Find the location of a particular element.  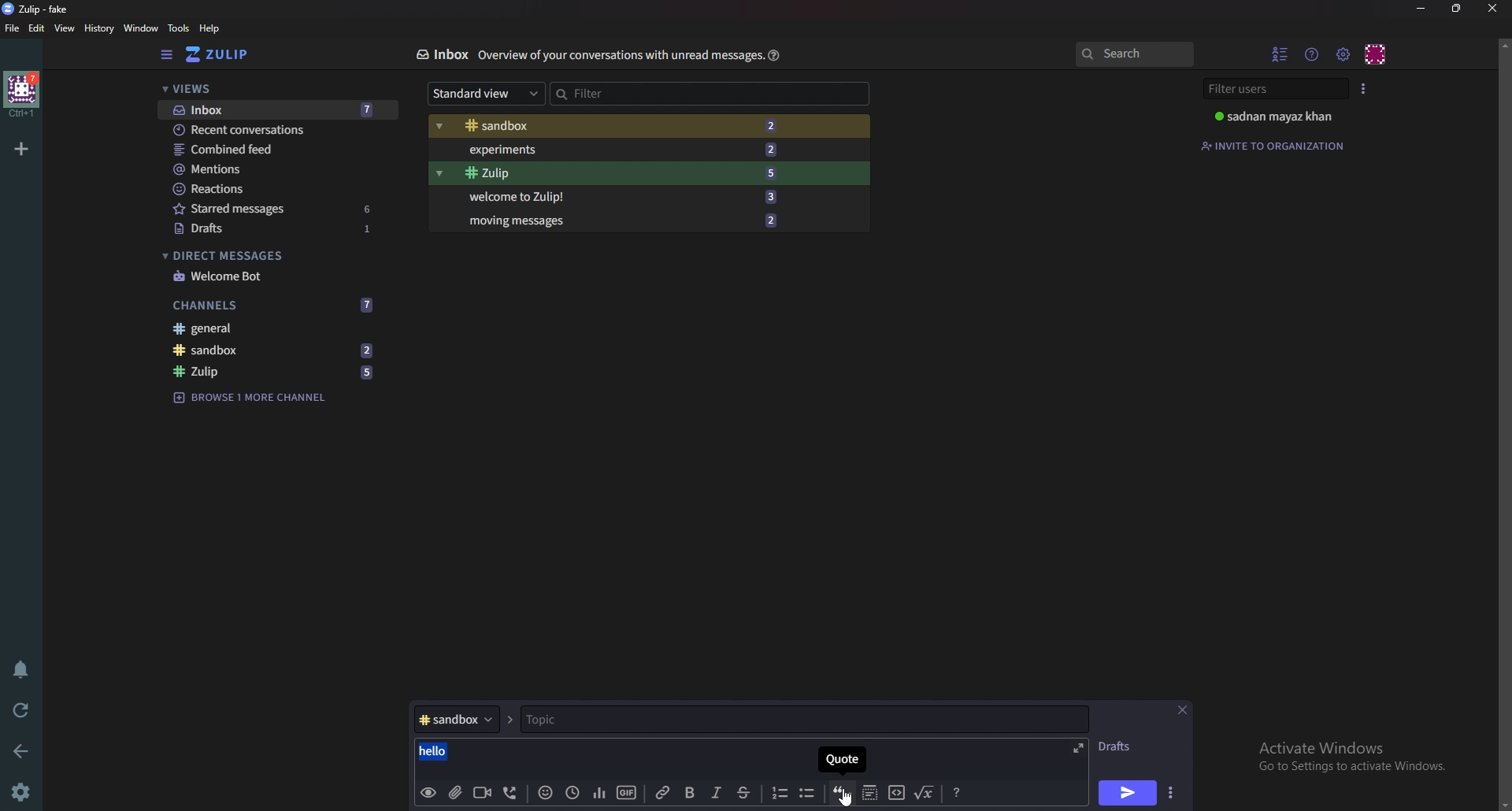

5 is located at coordinates (368, 371).